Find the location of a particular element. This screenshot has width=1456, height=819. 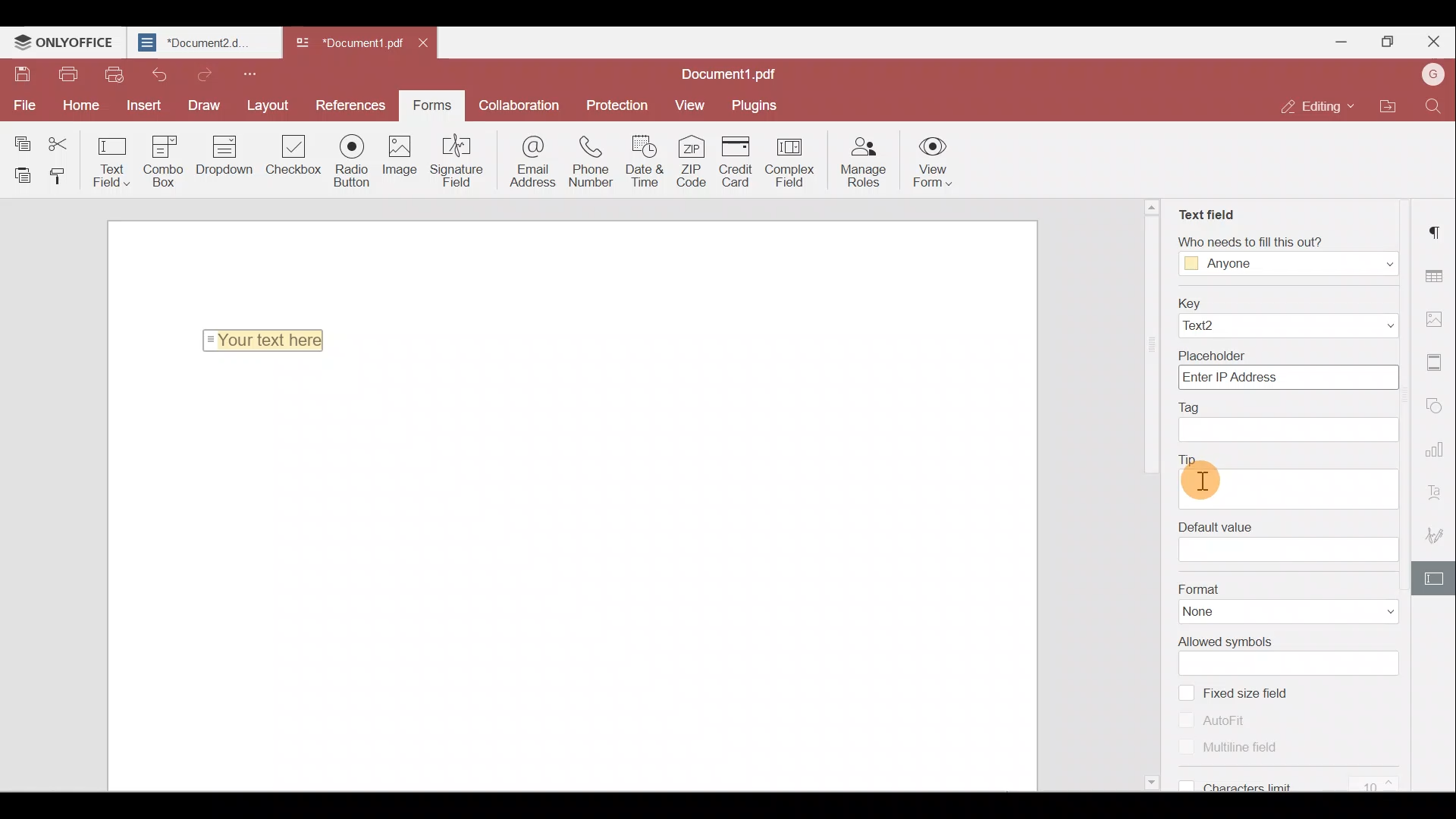

Document1.pdf is located at coordinates (737, 71).